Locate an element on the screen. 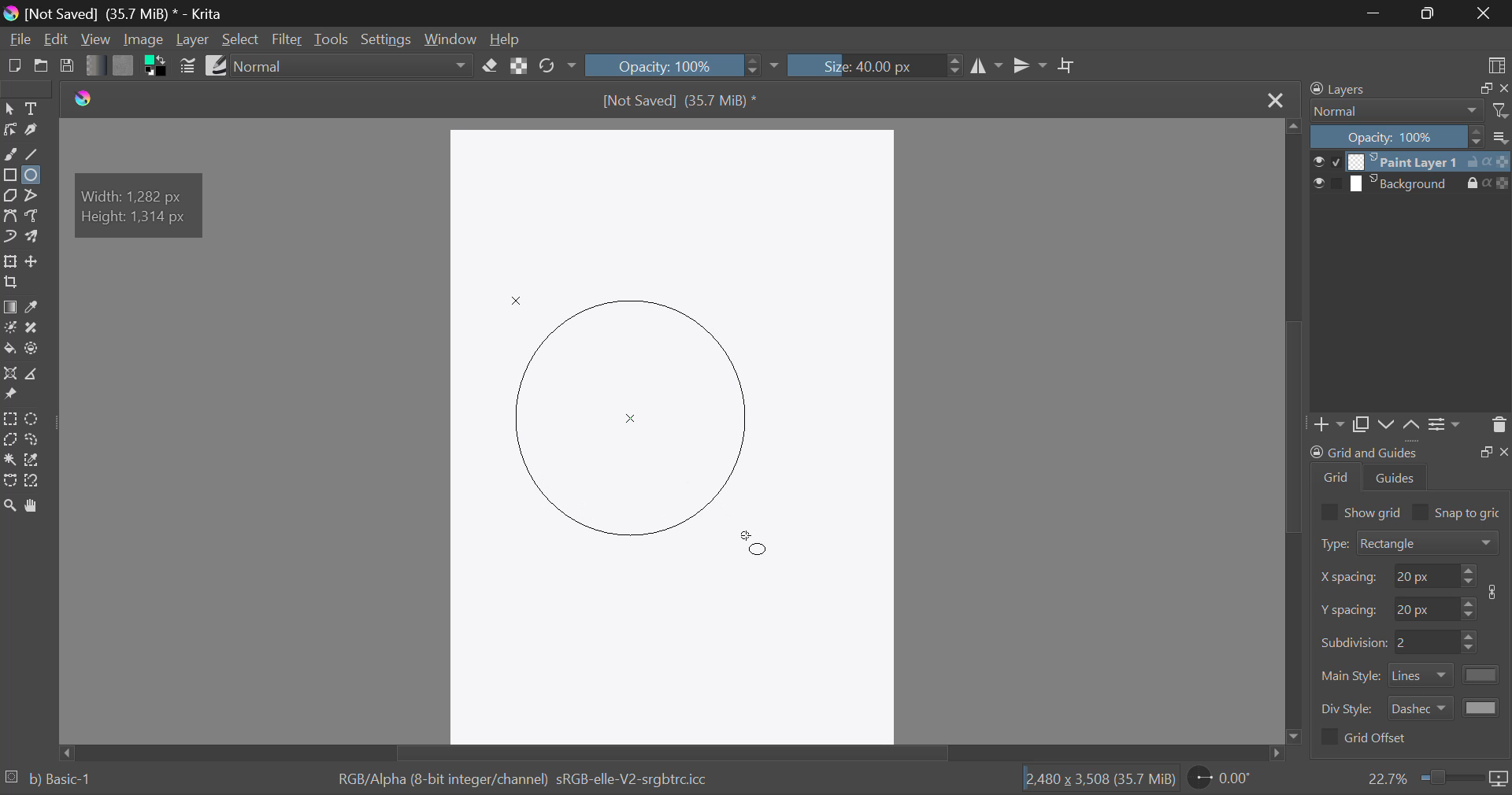 Image resolution: width=1512 pixels, height=795 pixels. Window is located at coordinates (450, 41).